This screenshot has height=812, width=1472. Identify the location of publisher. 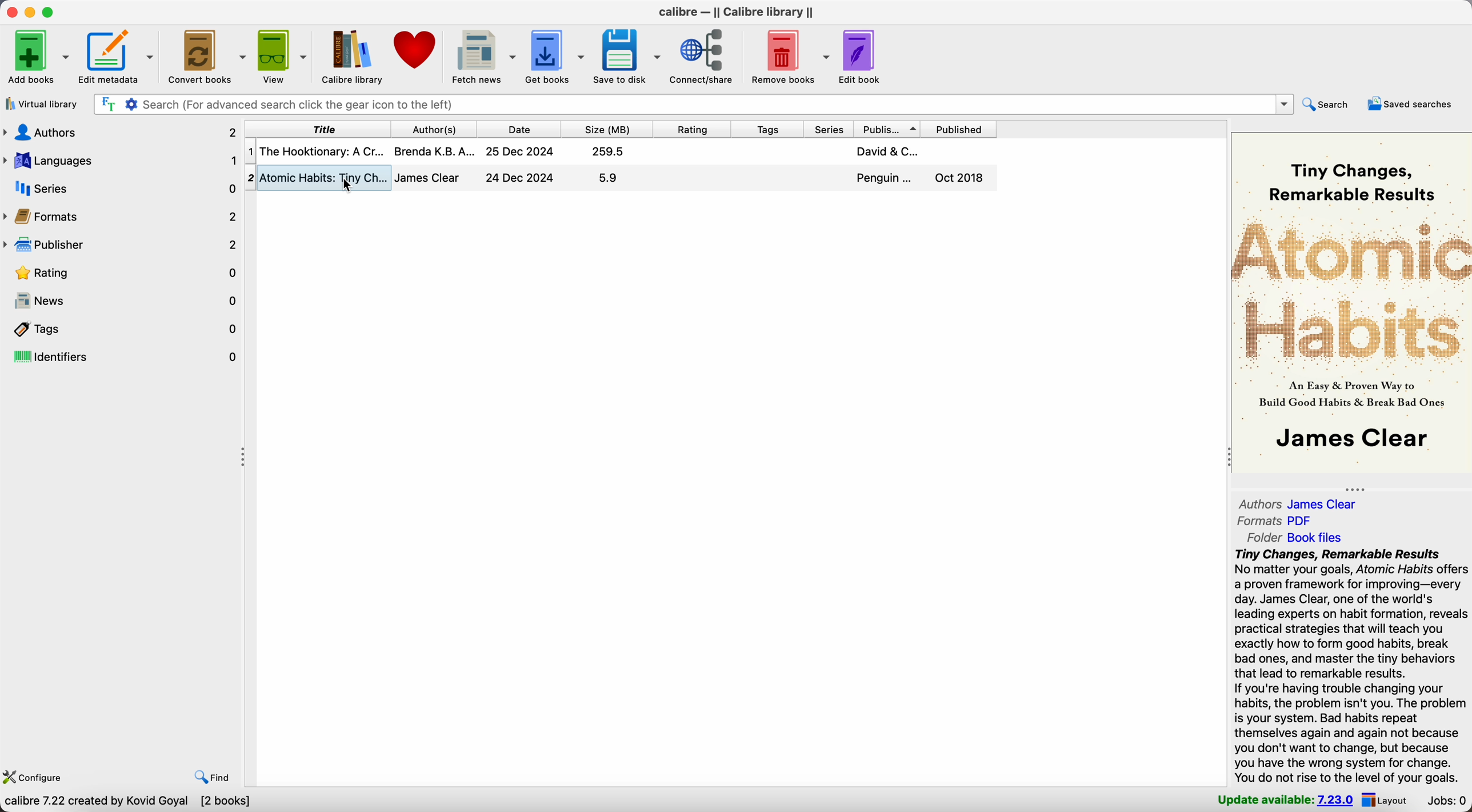
(121, 245).